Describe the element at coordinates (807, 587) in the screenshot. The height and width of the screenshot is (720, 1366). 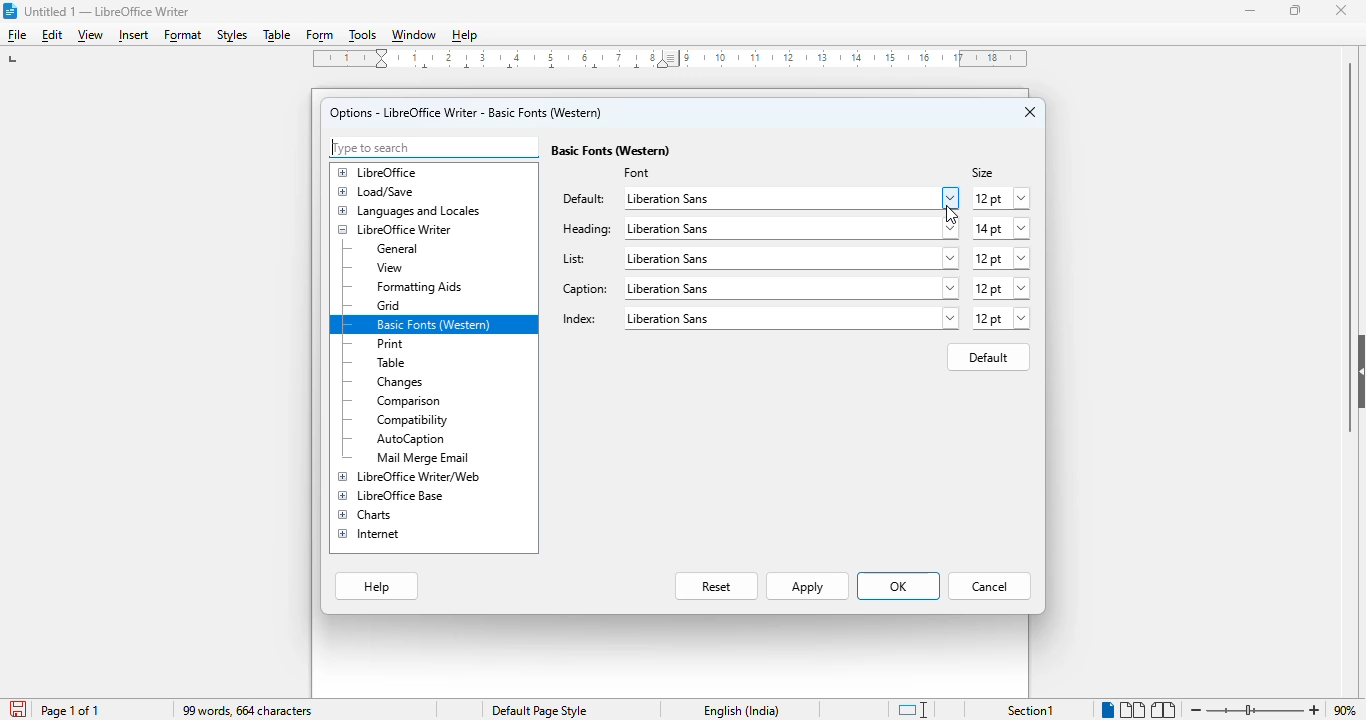
I see `apply` at that location.